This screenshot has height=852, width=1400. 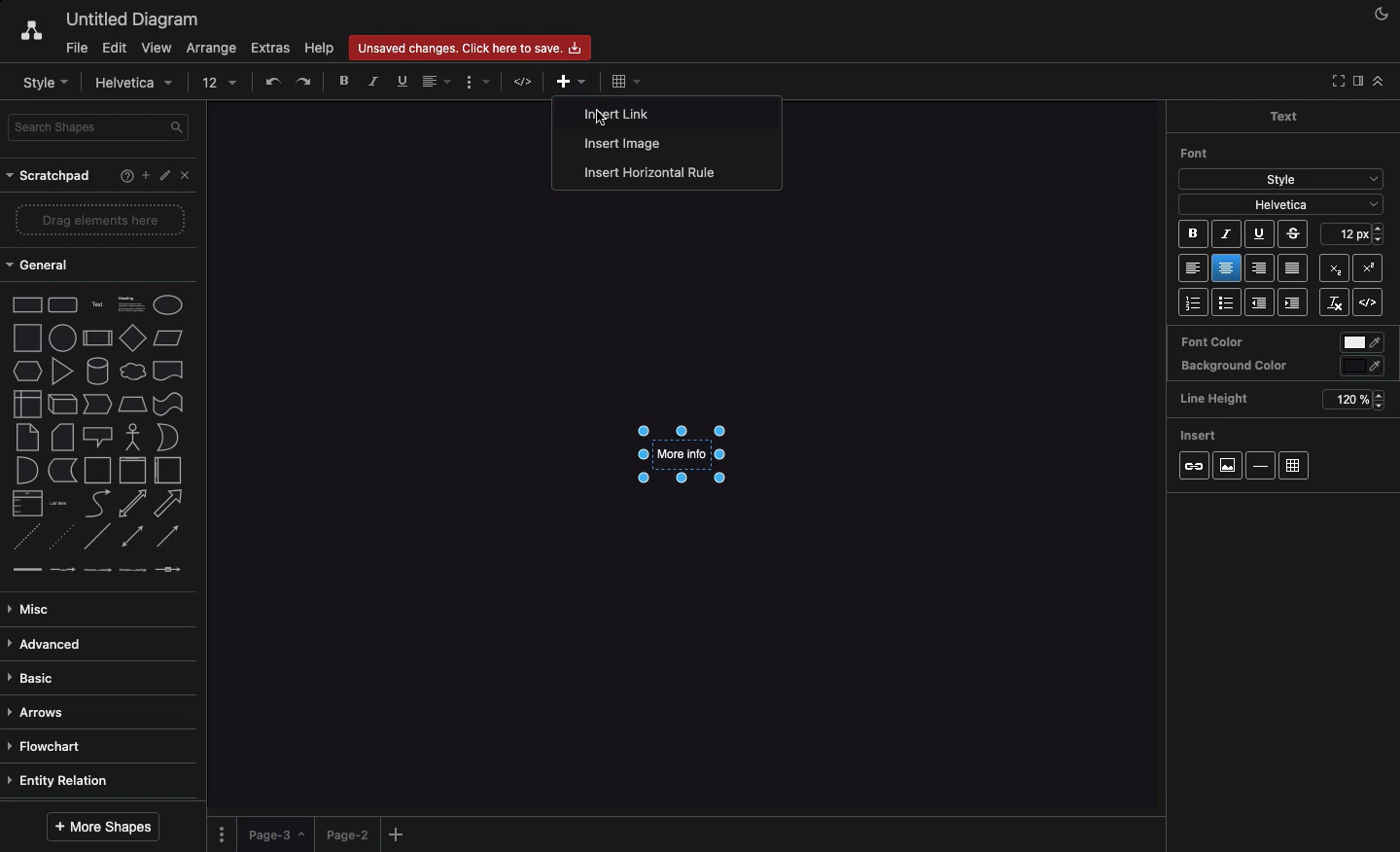 What do you see at coordinates (100, 127) in the screenshot?
I see `Search shapes` at bounding box center [100, 127].